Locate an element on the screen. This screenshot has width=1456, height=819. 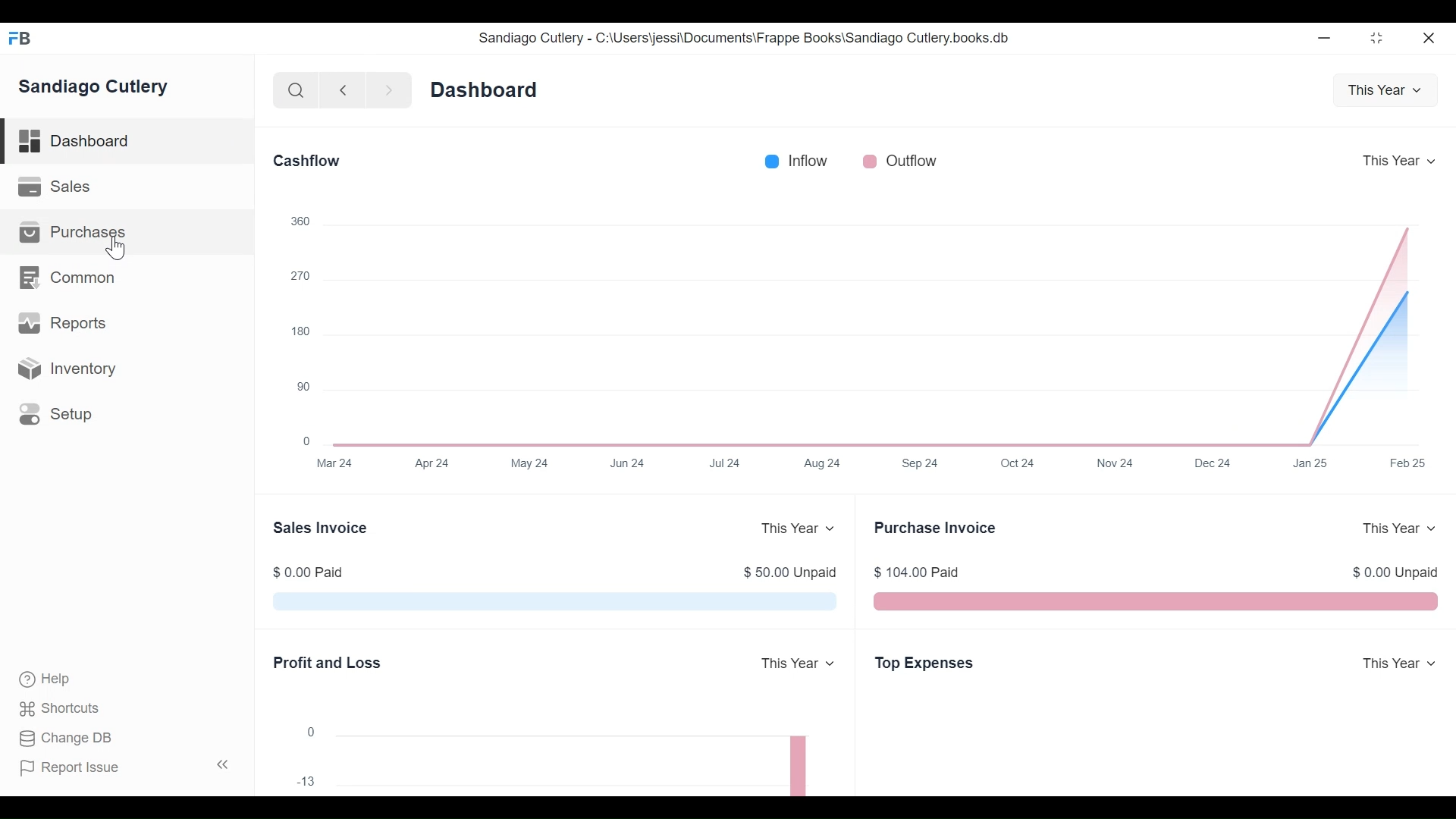
Sandiago Cutlery is located at coordinates (96, 88).